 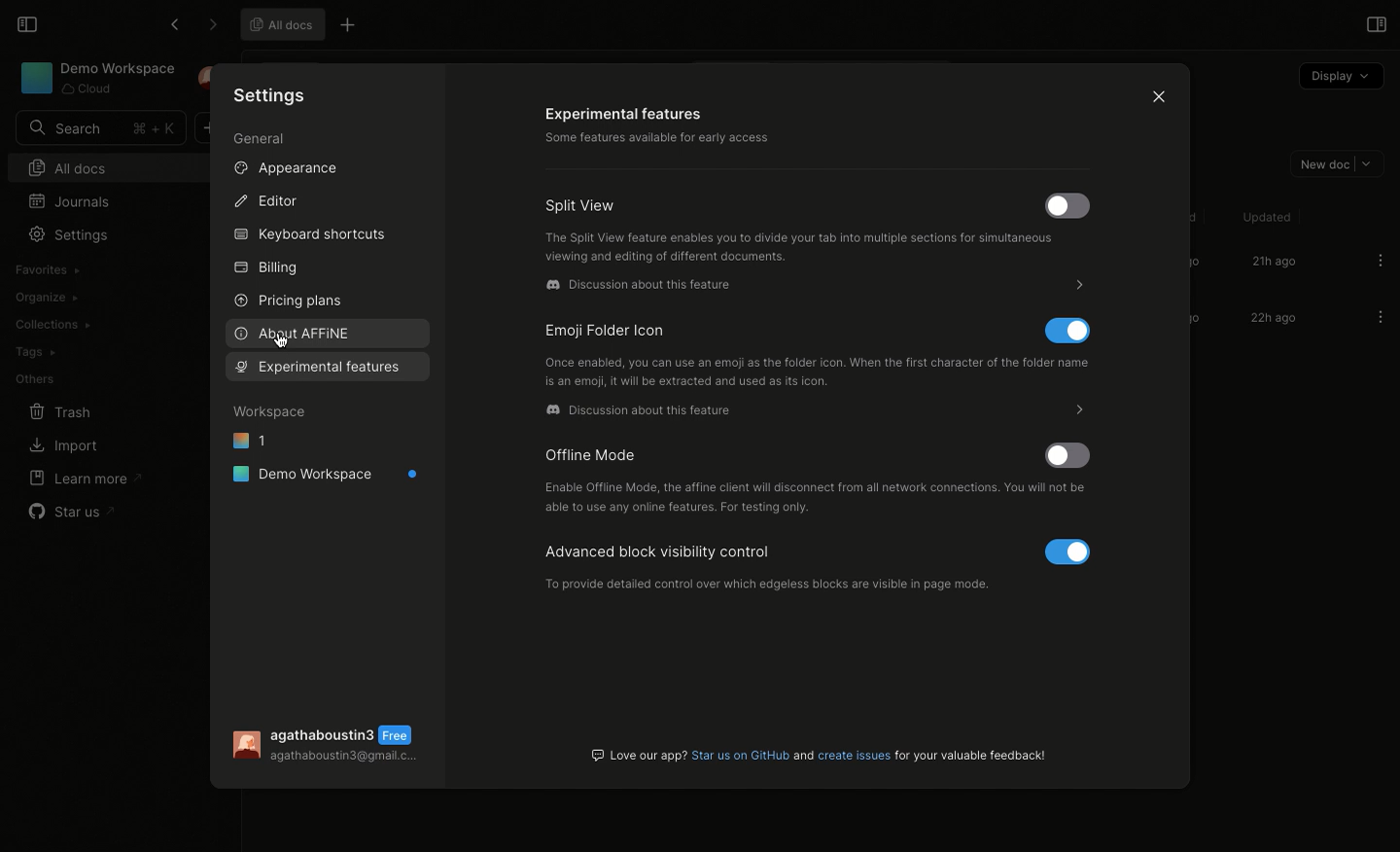 What do you see at coordinates (98, 78) in the screenshot?
I see `Demo Workspace` at bounding box center [98, 78].